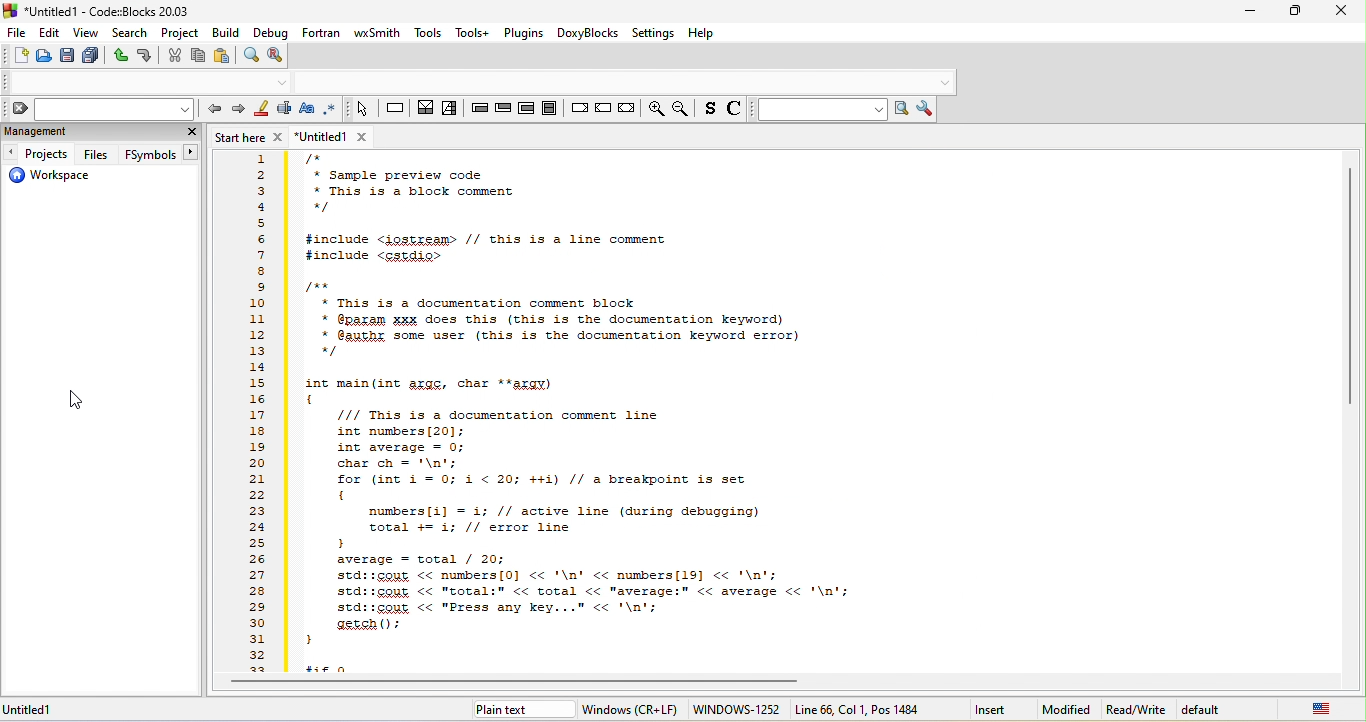 The height and width of the screenshot is (722, 1366). Describe the element at coordinates (602, 106) in the screenshot. I see `continue` at that location.